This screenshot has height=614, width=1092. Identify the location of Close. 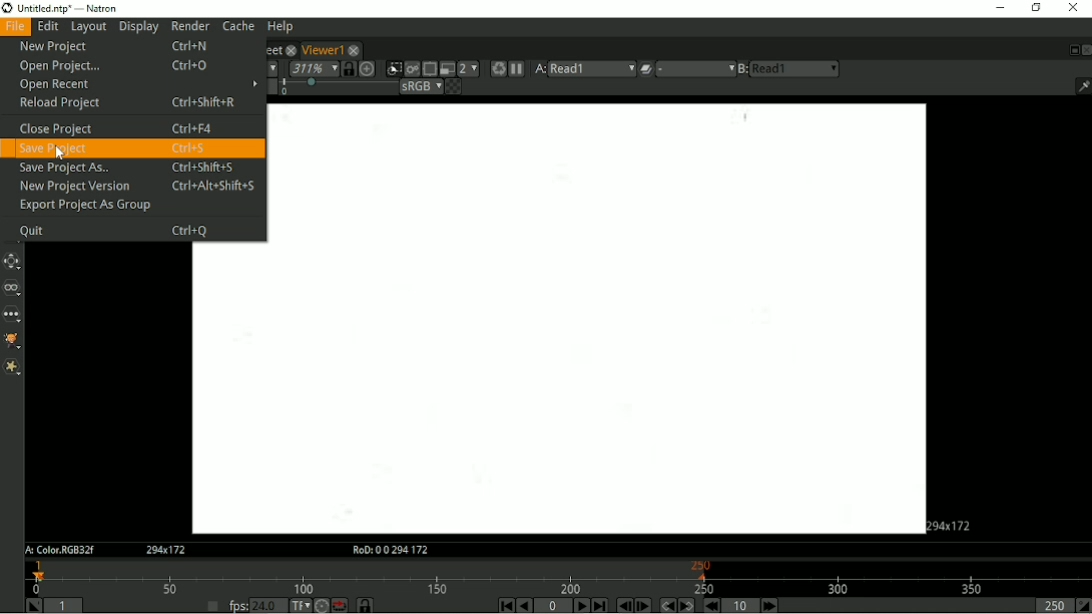
(1073, 8).